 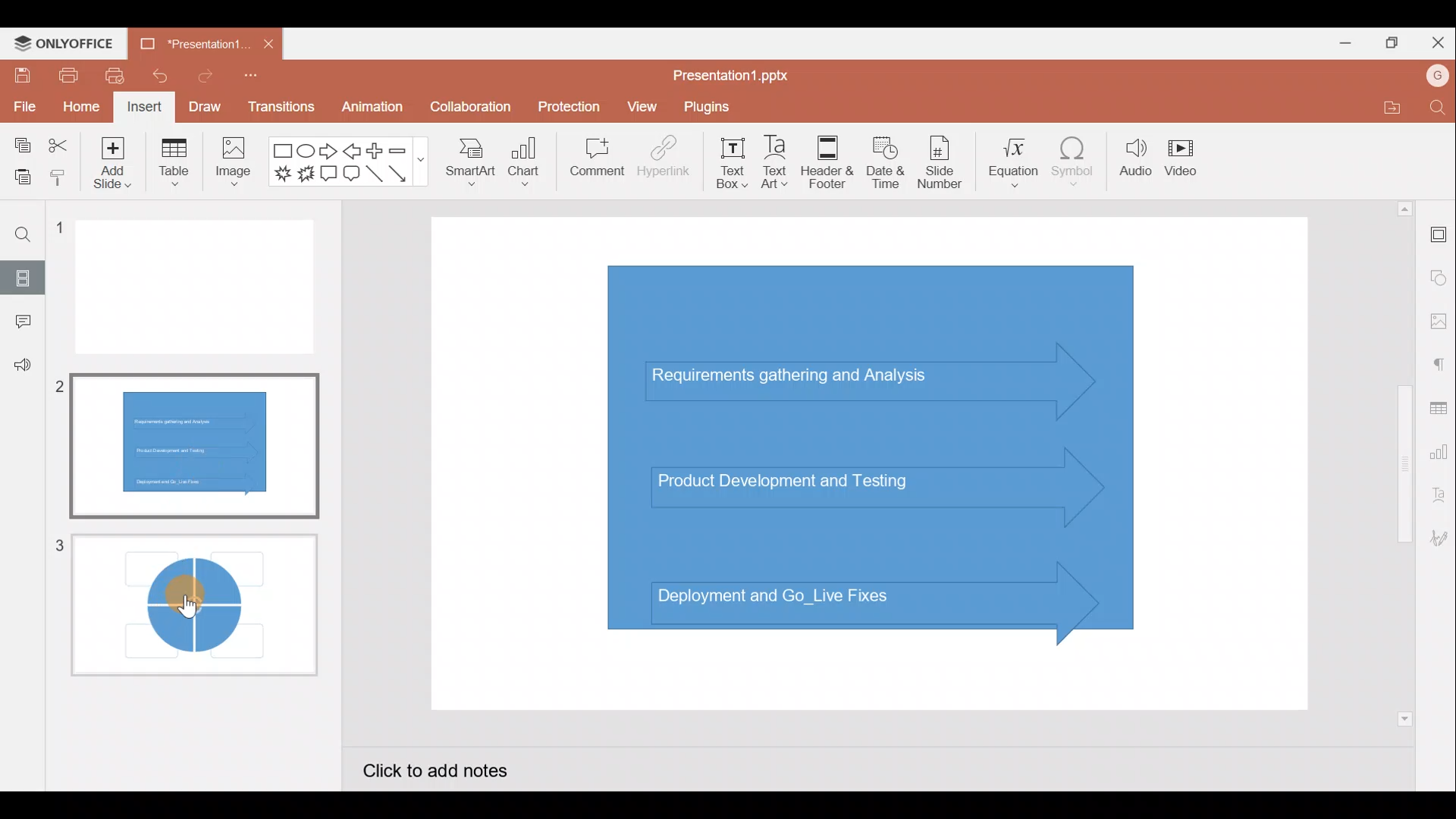 I want to click on Close, so click(x=1439, y=40).